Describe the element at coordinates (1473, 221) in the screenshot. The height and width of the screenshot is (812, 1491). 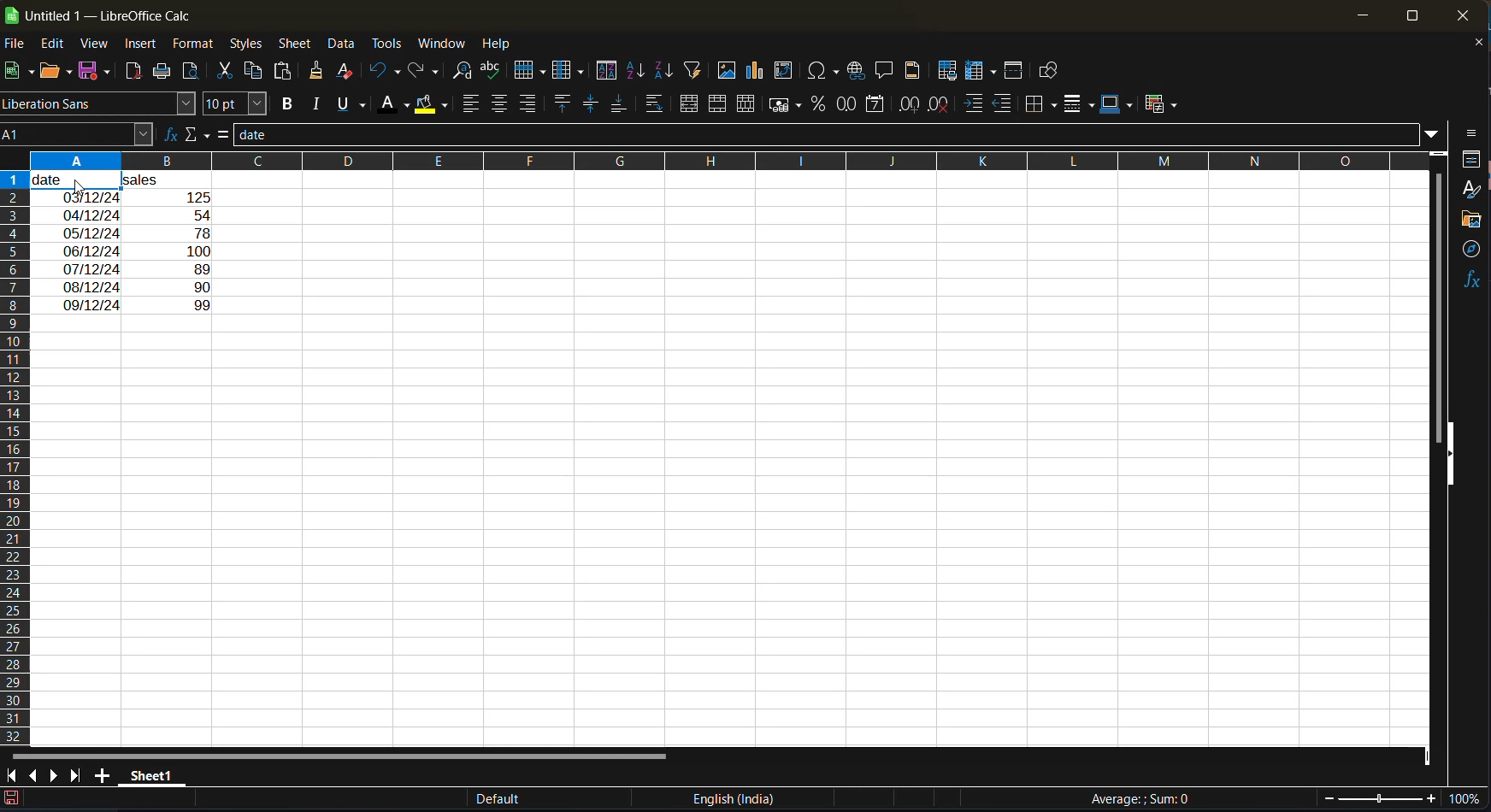
I see `gallery` at that location.